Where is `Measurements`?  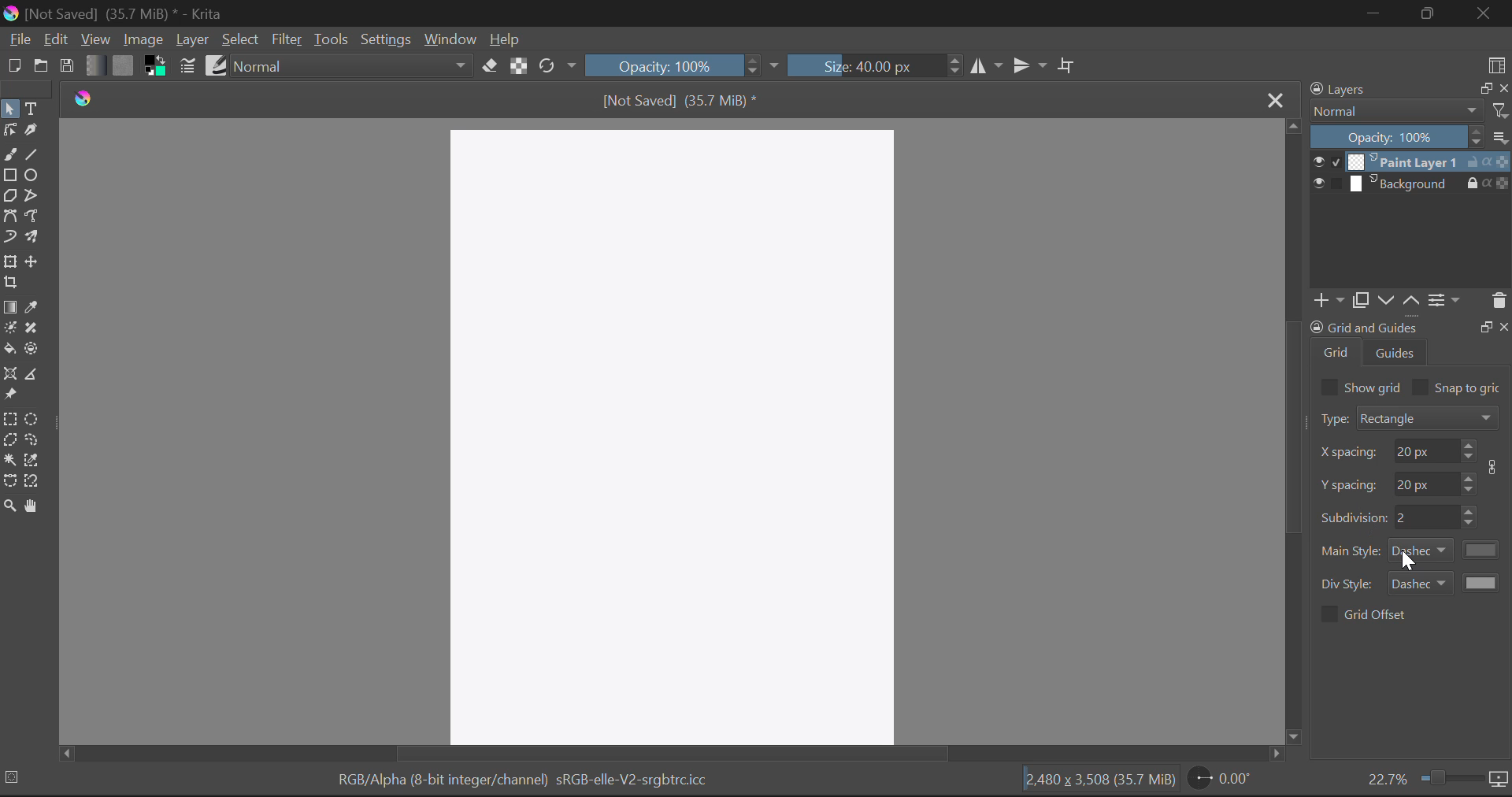 Measurements is located at coordinates (36, 376).